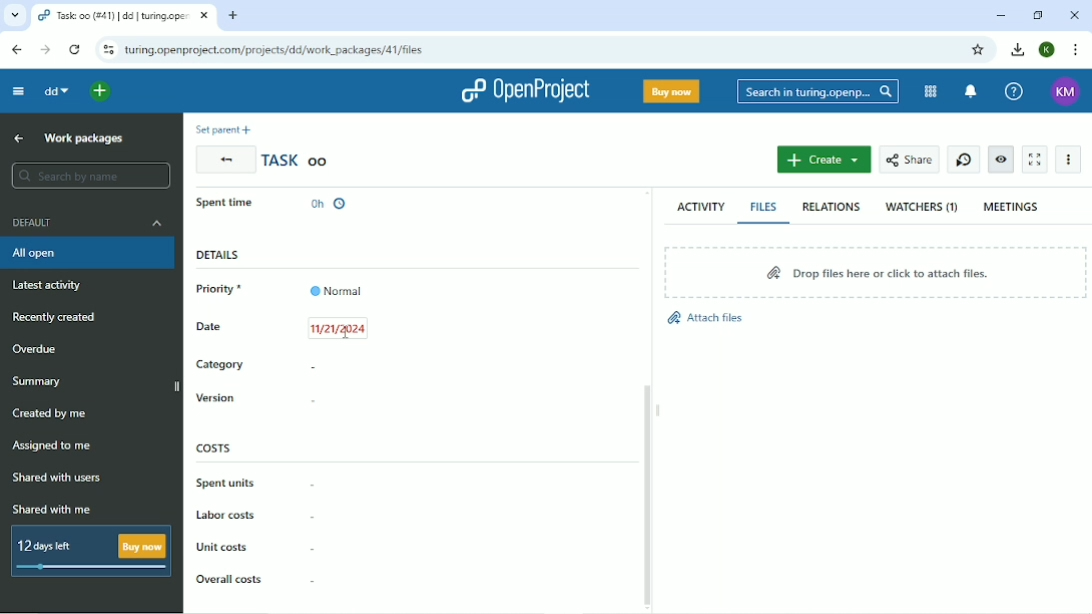  I want to click on In progress, so click(235, 207).